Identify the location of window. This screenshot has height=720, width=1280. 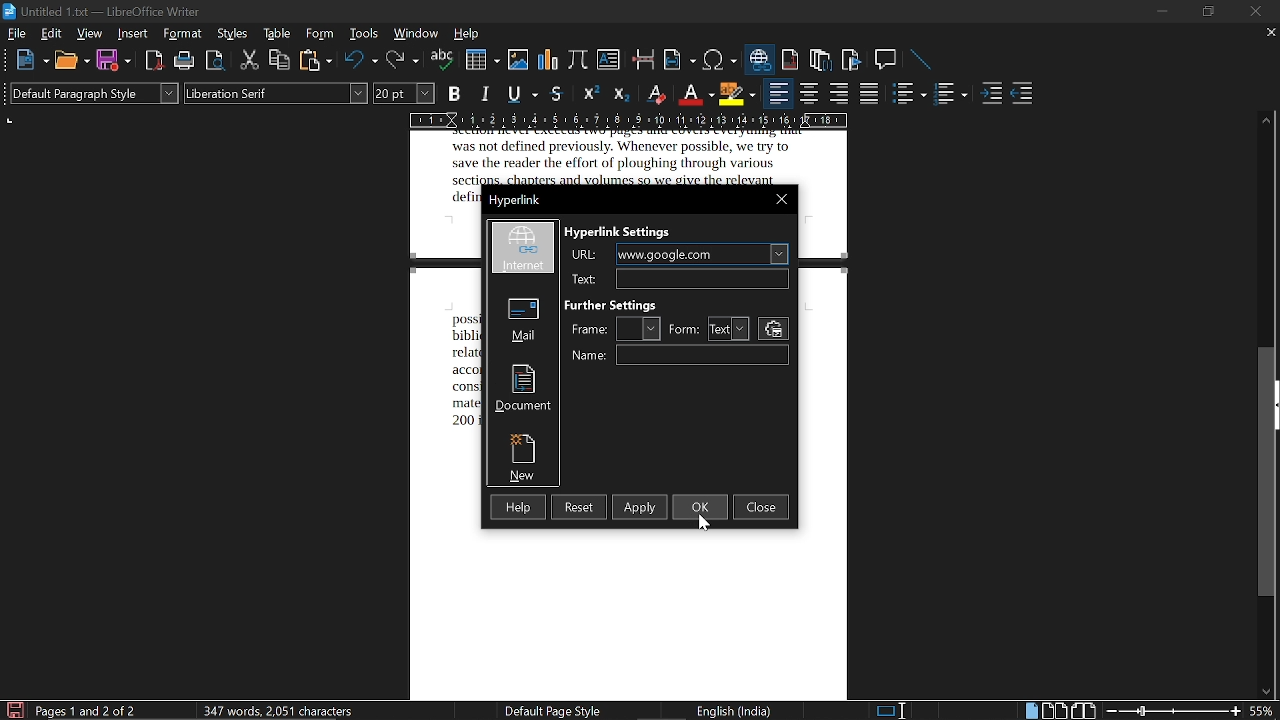
(416, 33).